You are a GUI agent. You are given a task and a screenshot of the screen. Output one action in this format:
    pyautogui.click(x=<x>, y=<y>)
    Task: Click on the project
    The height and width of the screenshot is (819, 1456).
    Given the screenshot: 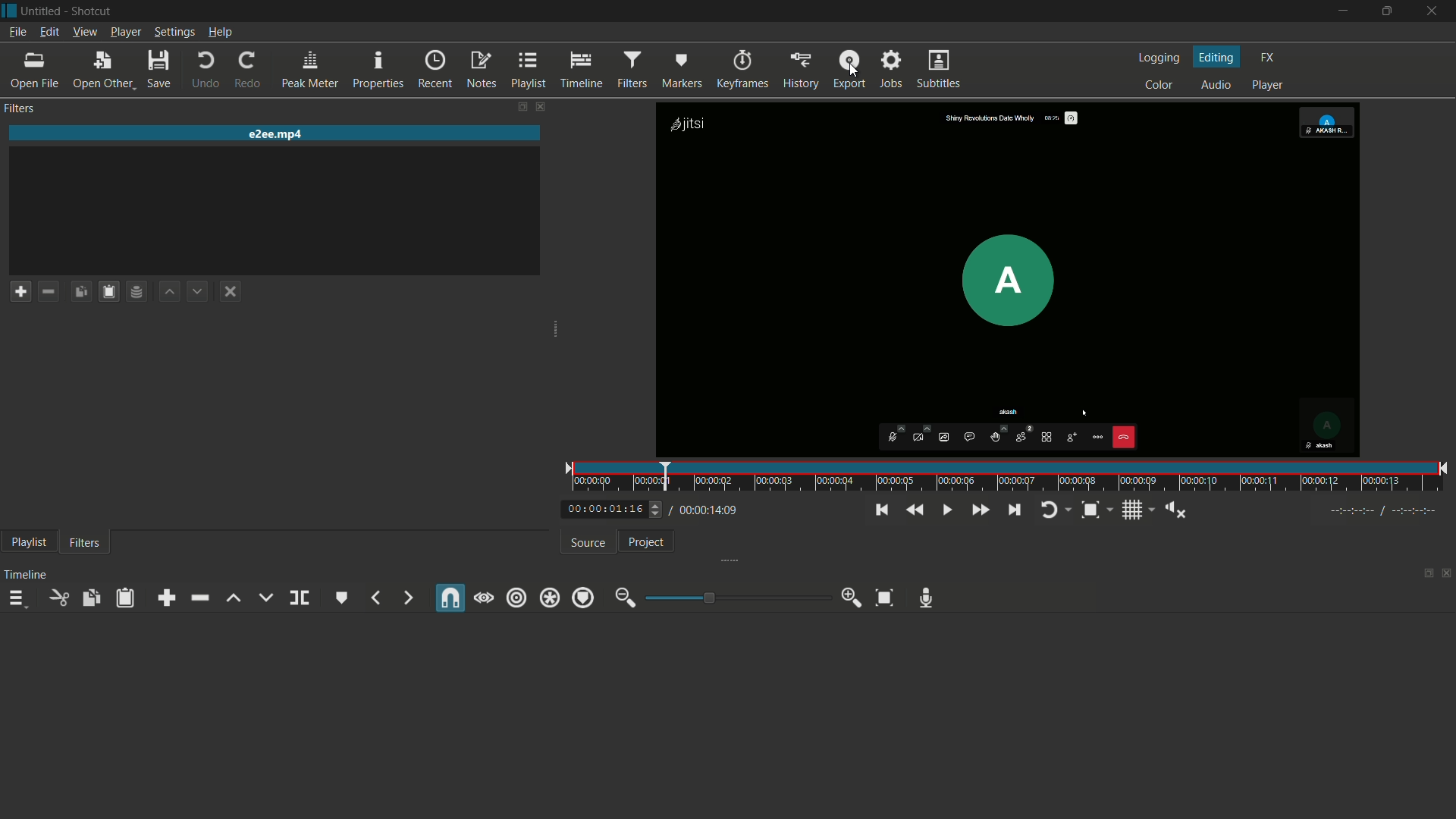 What is the action you would take?
    pyautogui.click(x=645, y=542)
    